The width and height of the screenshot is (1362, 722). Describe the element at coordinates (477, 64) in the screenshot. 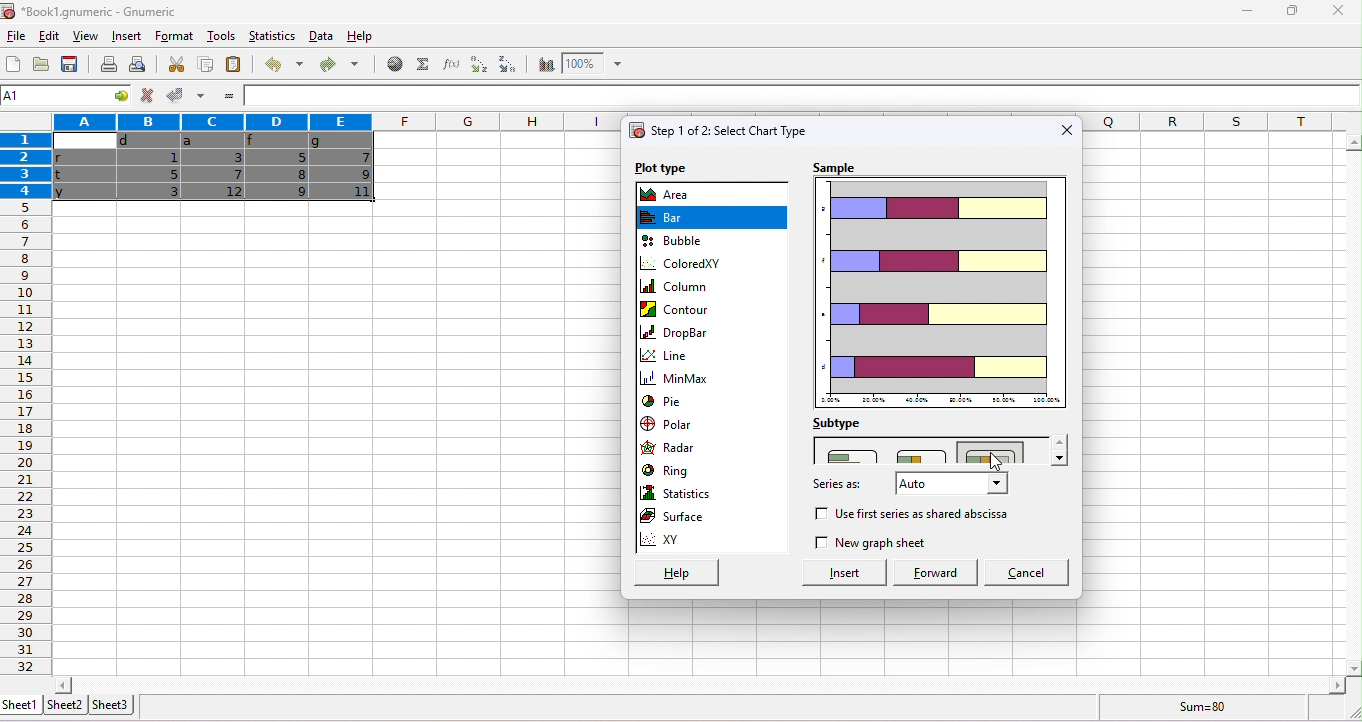

I see `sort ascending` at that location.